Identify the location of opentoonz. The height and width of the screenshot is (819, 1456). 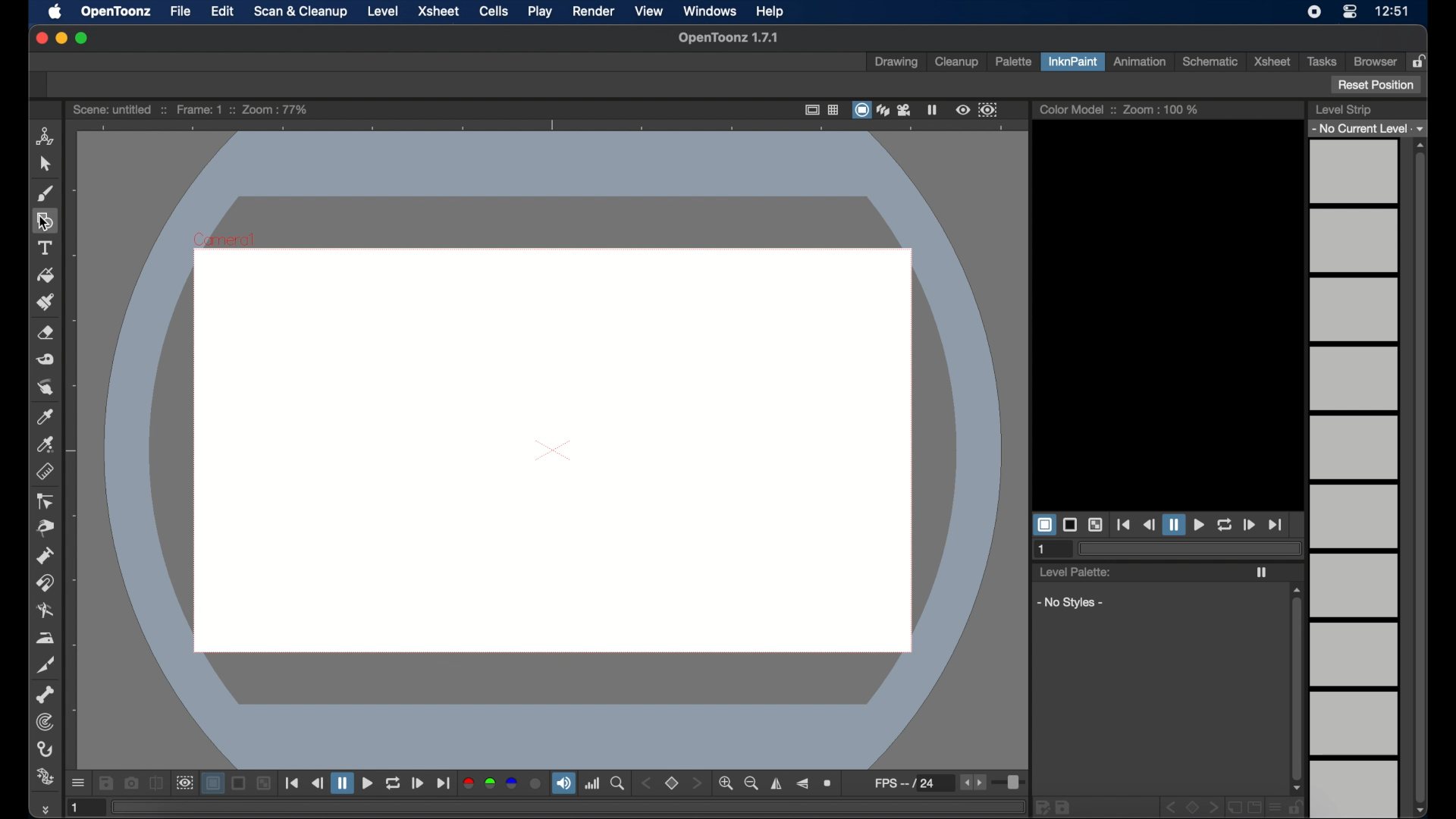
(117, 12).